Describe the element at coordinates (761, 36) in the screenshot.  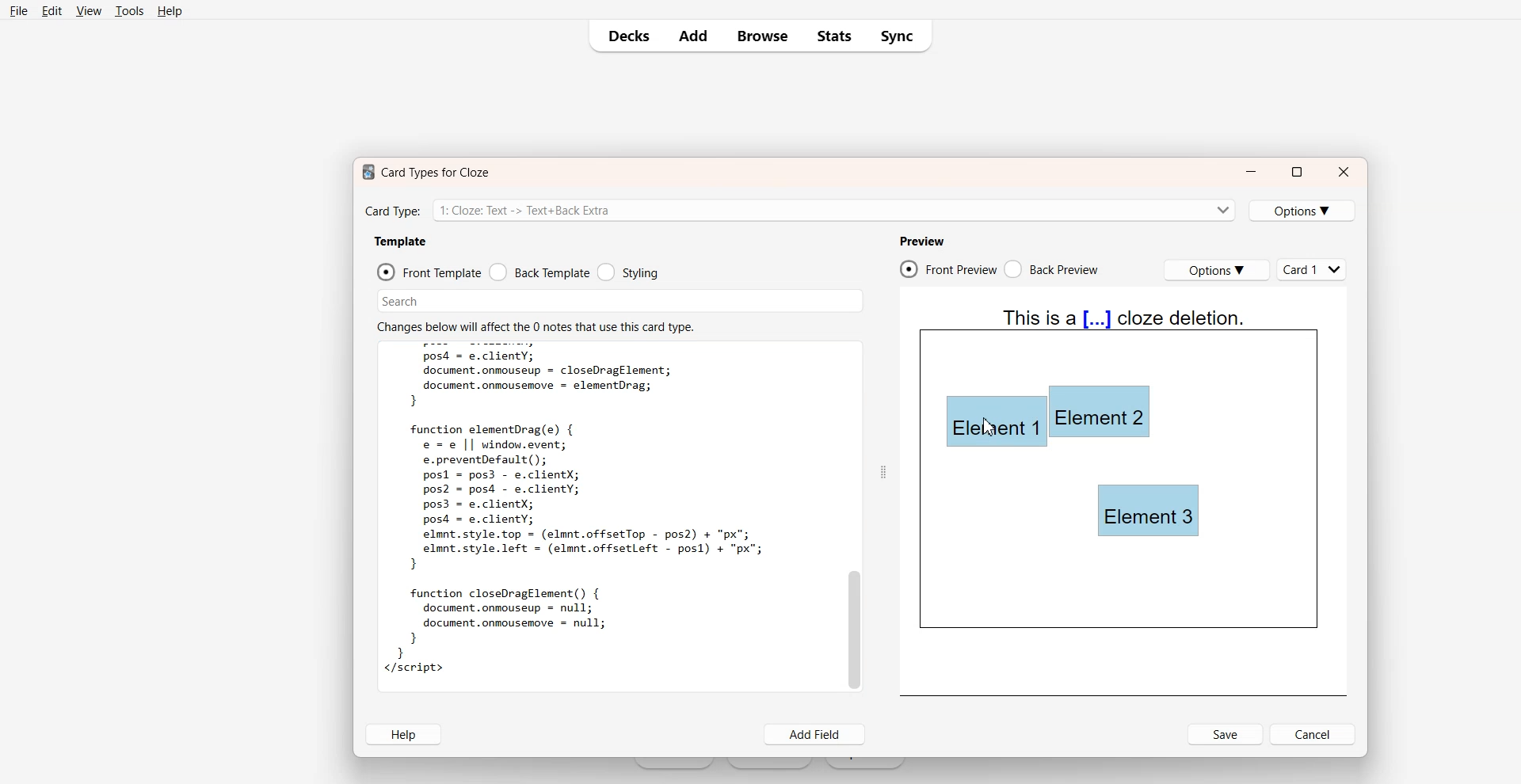
I see `Browse` at that location.